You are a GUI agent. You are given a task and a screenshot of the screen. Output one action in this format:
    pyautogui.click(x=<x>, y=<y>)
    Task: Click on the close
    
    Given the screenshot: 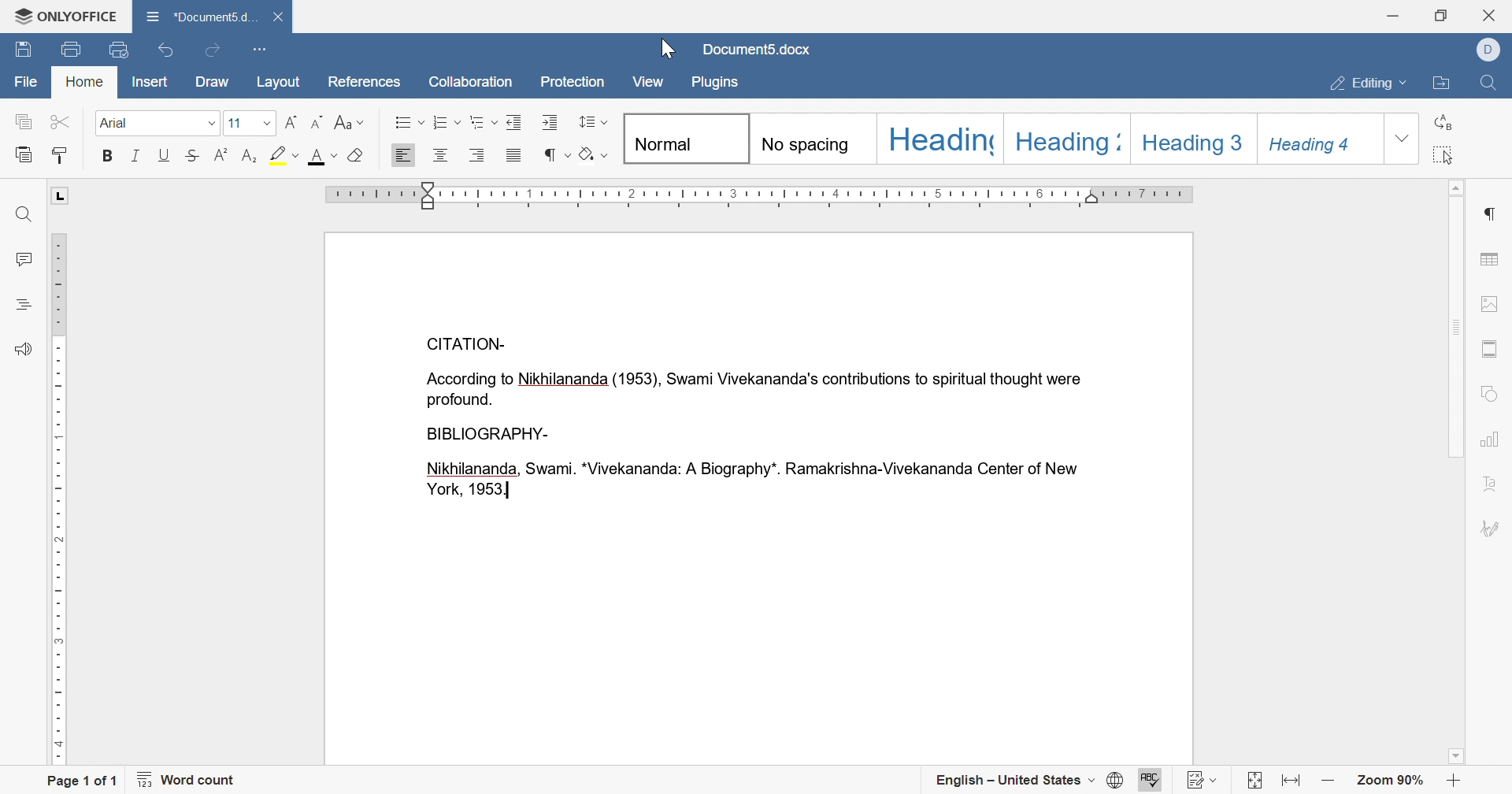 What is the action you would take?
    pyautogui.click(x=1492, y=14)
    